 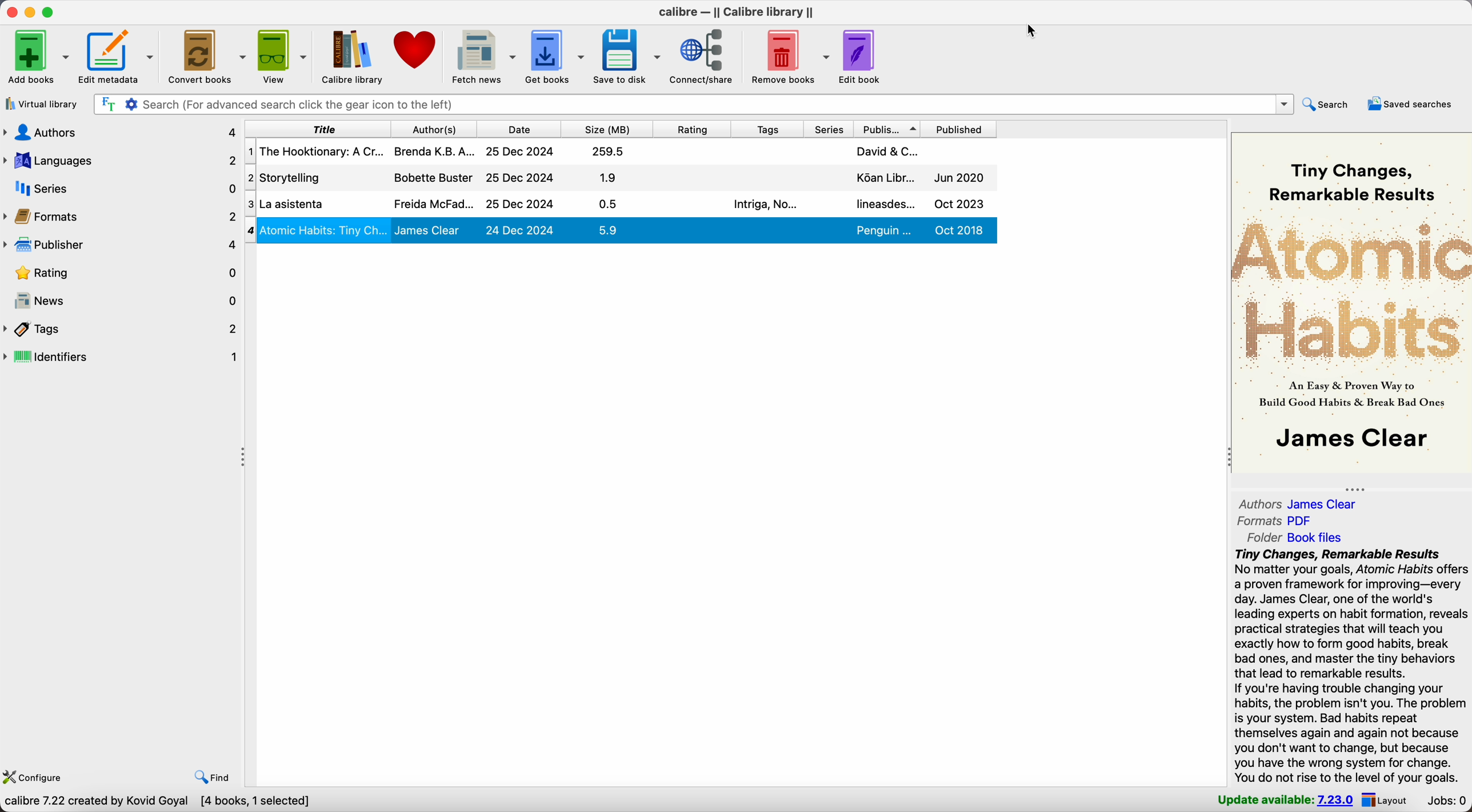 I want to click on maximize, so click(x=51, y=12).